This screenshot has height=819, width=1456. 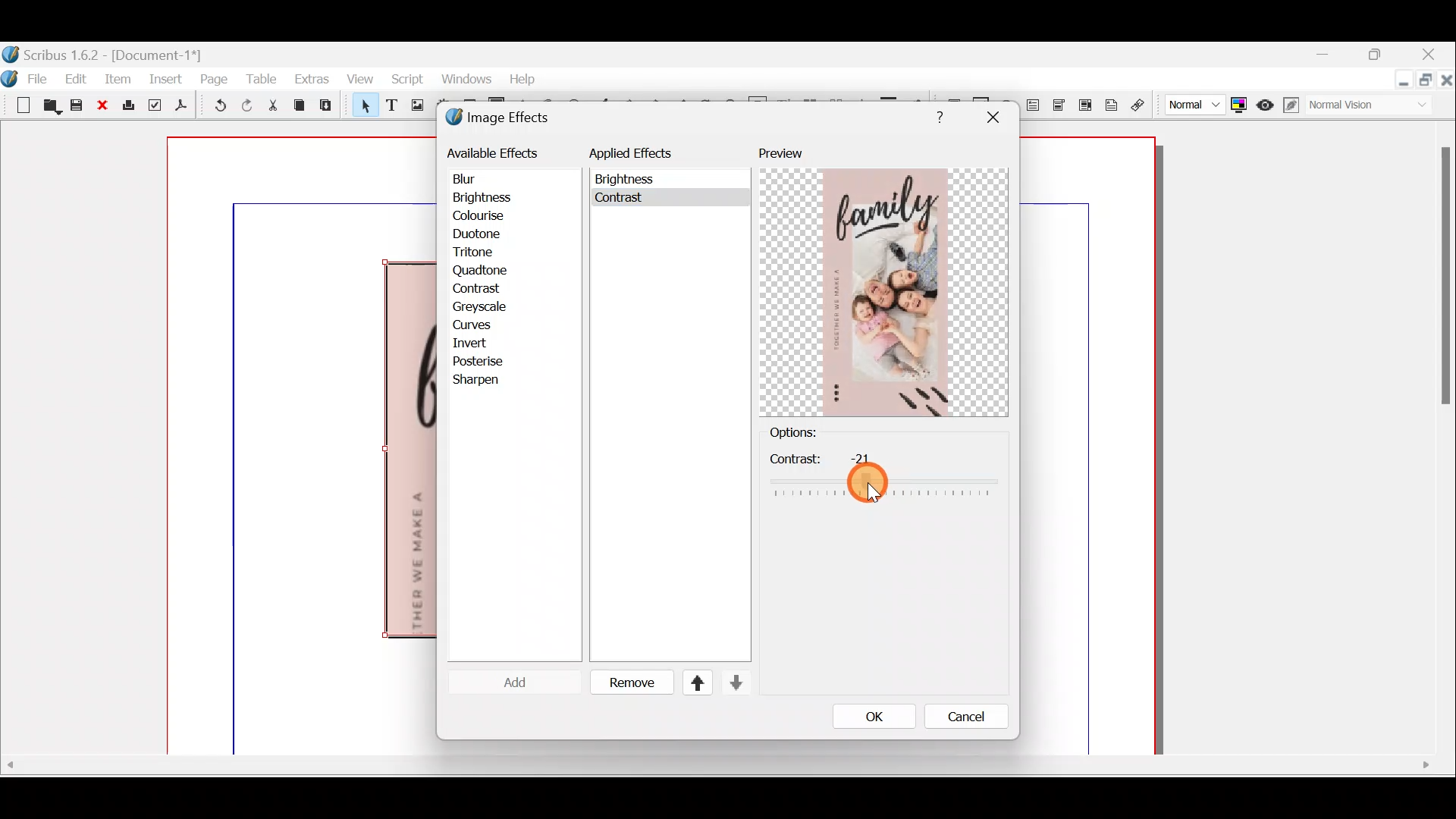 What do you see at coordinates (18, 104) in the screenshot?
I see `New` at bounding box center [18, 104].